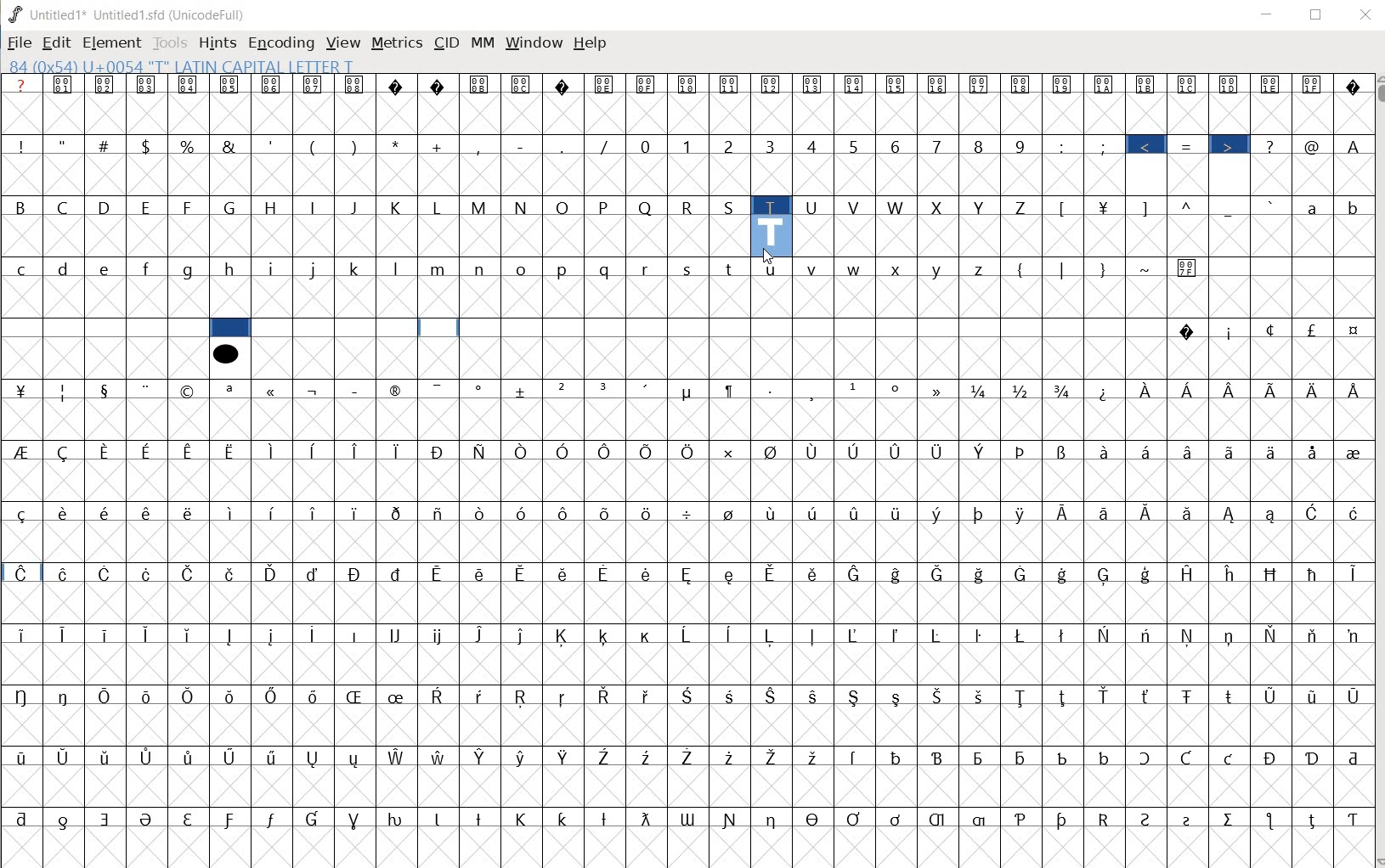 Image resolution: width=1385 pixels, height=868 pixels. What do you see at coordinates (1230, 331) in the screenshot?
I see `Symbol` at bounding box center [1230, 331].